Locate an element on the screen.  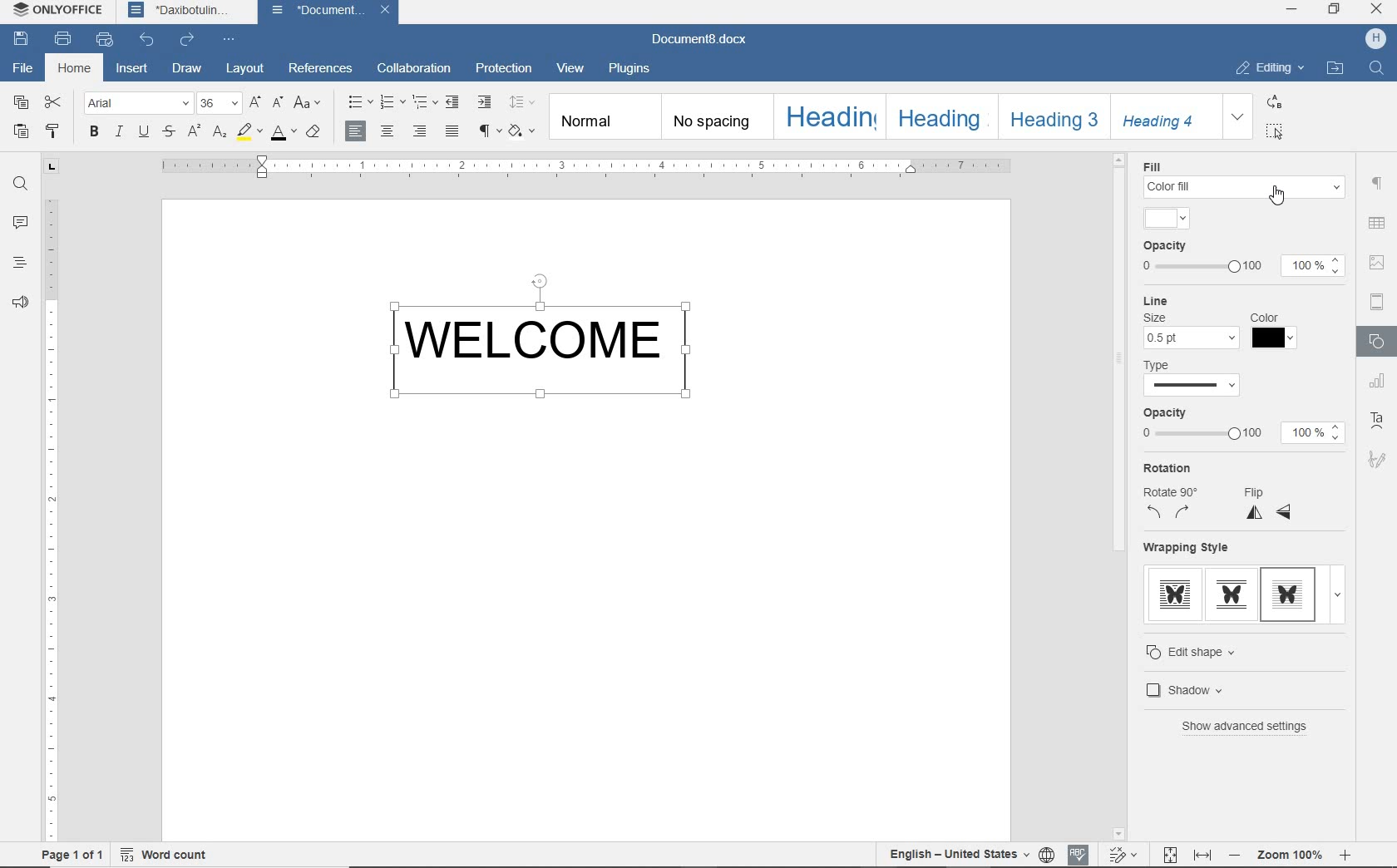
Flip x and y is located at coordinates (1270, 514).